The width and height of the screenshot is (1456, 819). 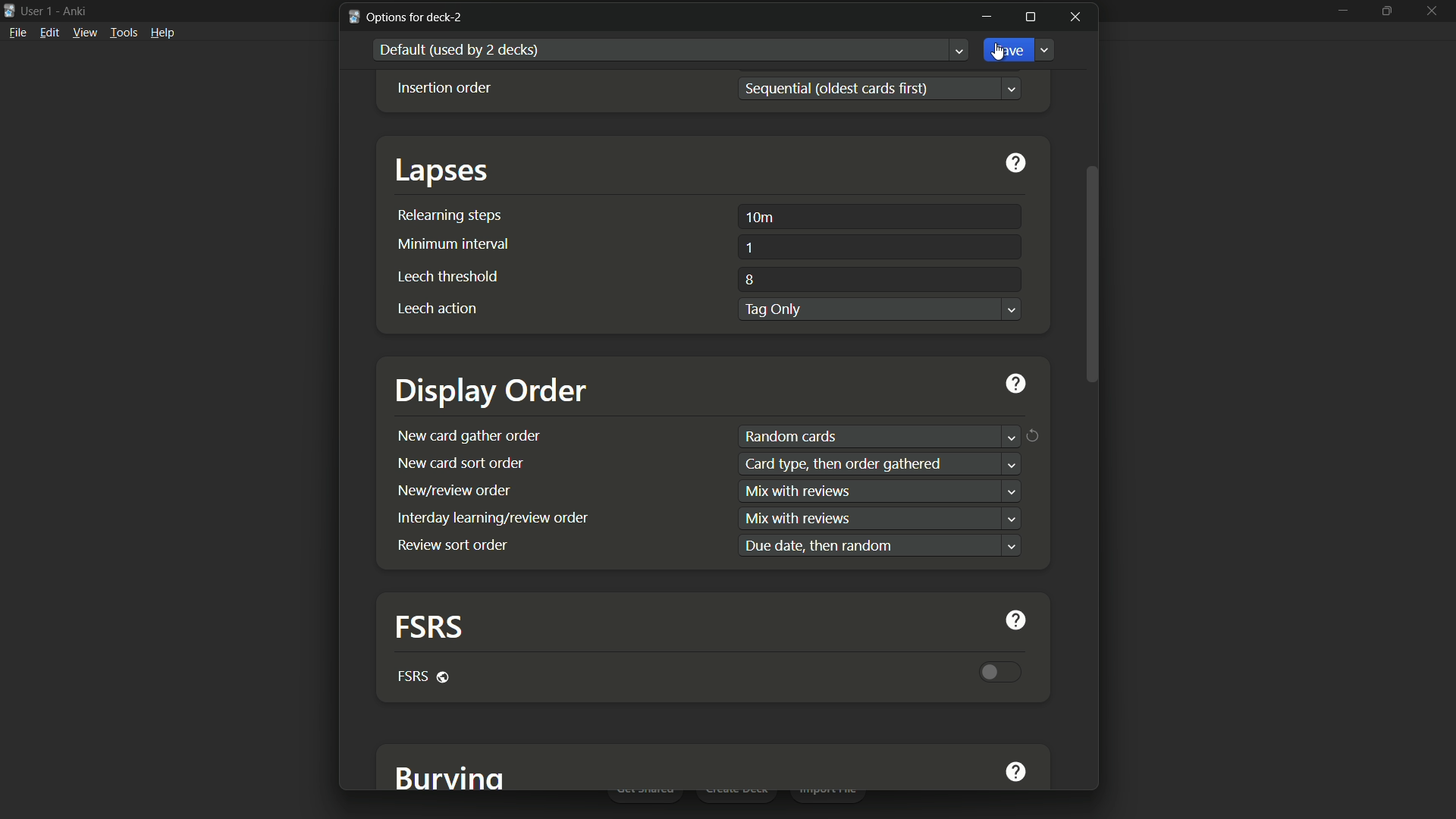 I want to click on help menu, so click(x=164, y=33).